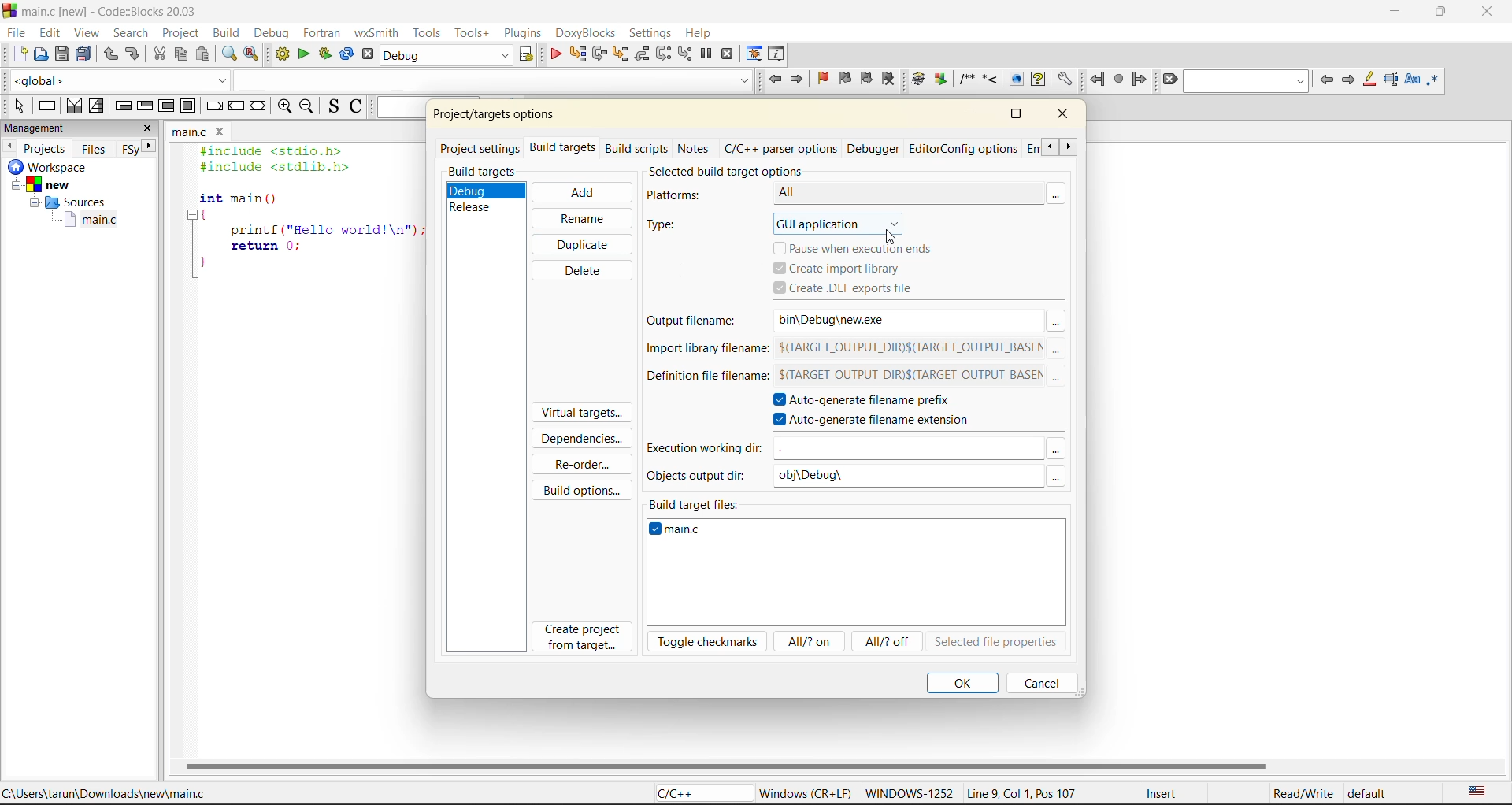  I want to click on rename, so click(580, 218).